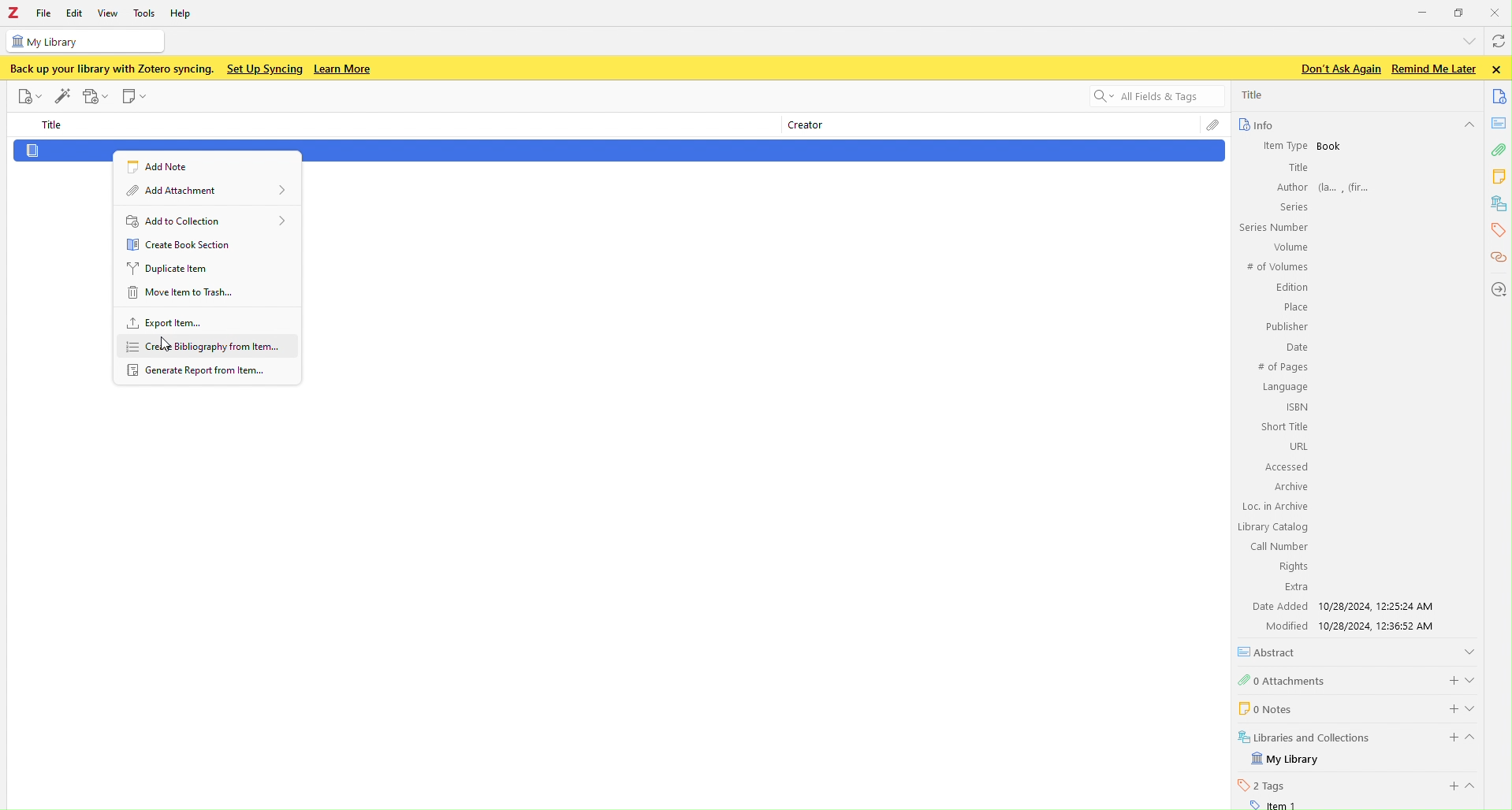 The width and height of the screenshot is (1512, 810). Describe the element at coordinates (1423, 11) in the screenshot. I see `Minimize` at that location.